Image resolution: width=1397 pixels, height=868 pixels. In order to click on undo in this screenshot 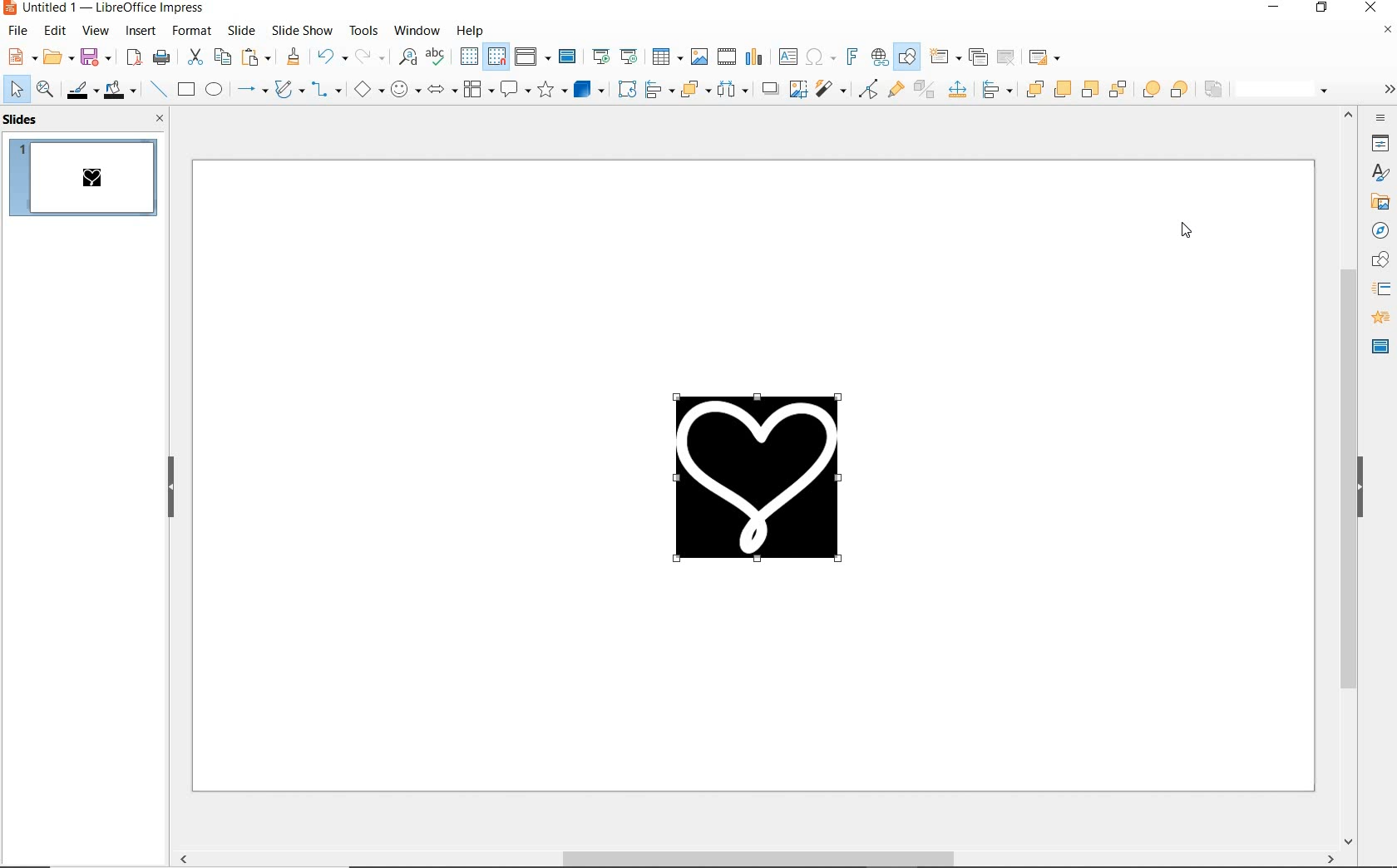, I will do `click(331, 57)`.